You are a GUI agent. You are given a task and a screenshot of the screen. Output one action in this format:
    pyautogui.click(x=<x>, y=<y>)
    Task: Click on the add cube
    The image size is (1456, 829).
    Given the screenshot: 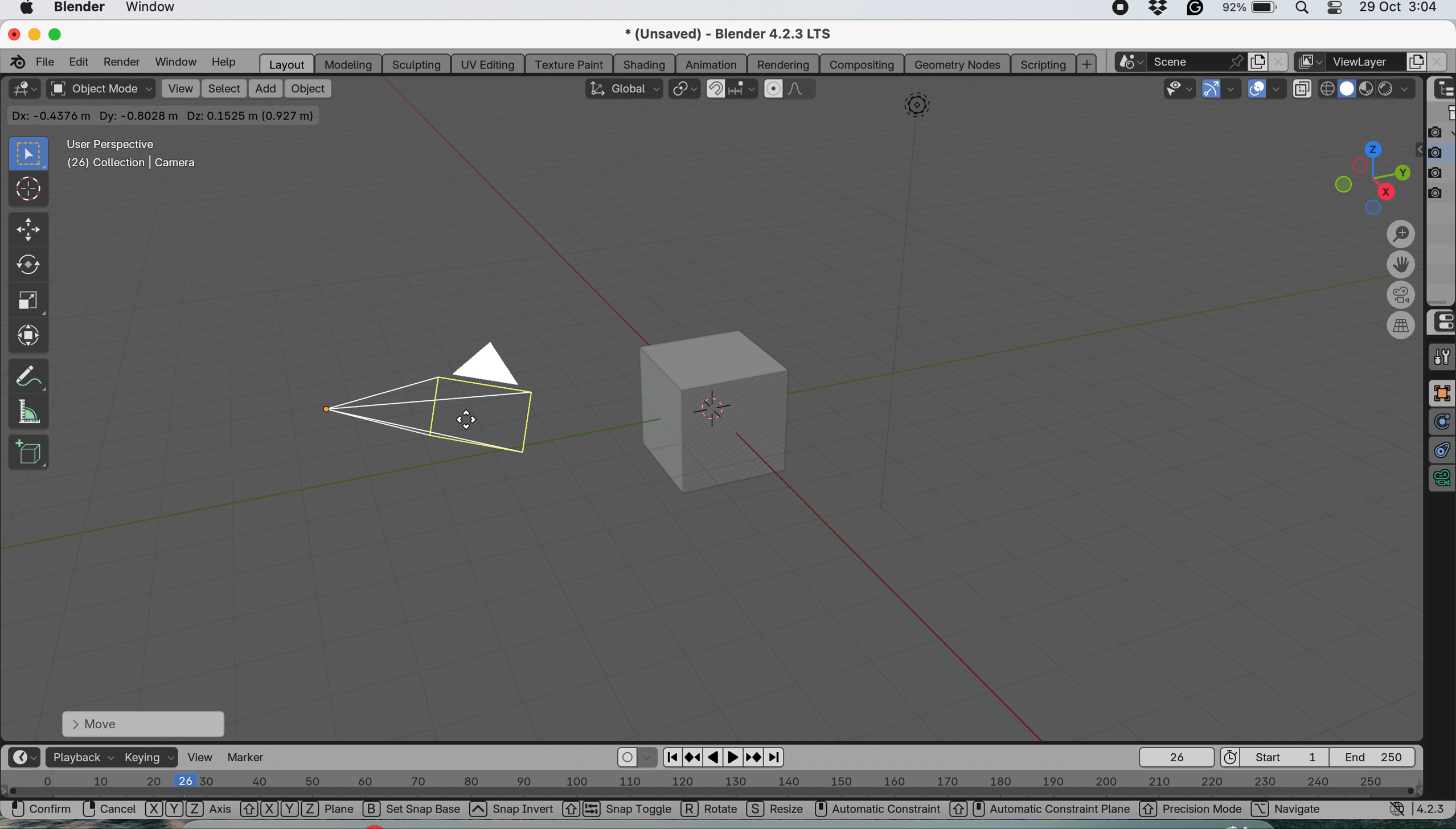 What is the action you would take?
    pyautogui.click(x=29, y=452)
    